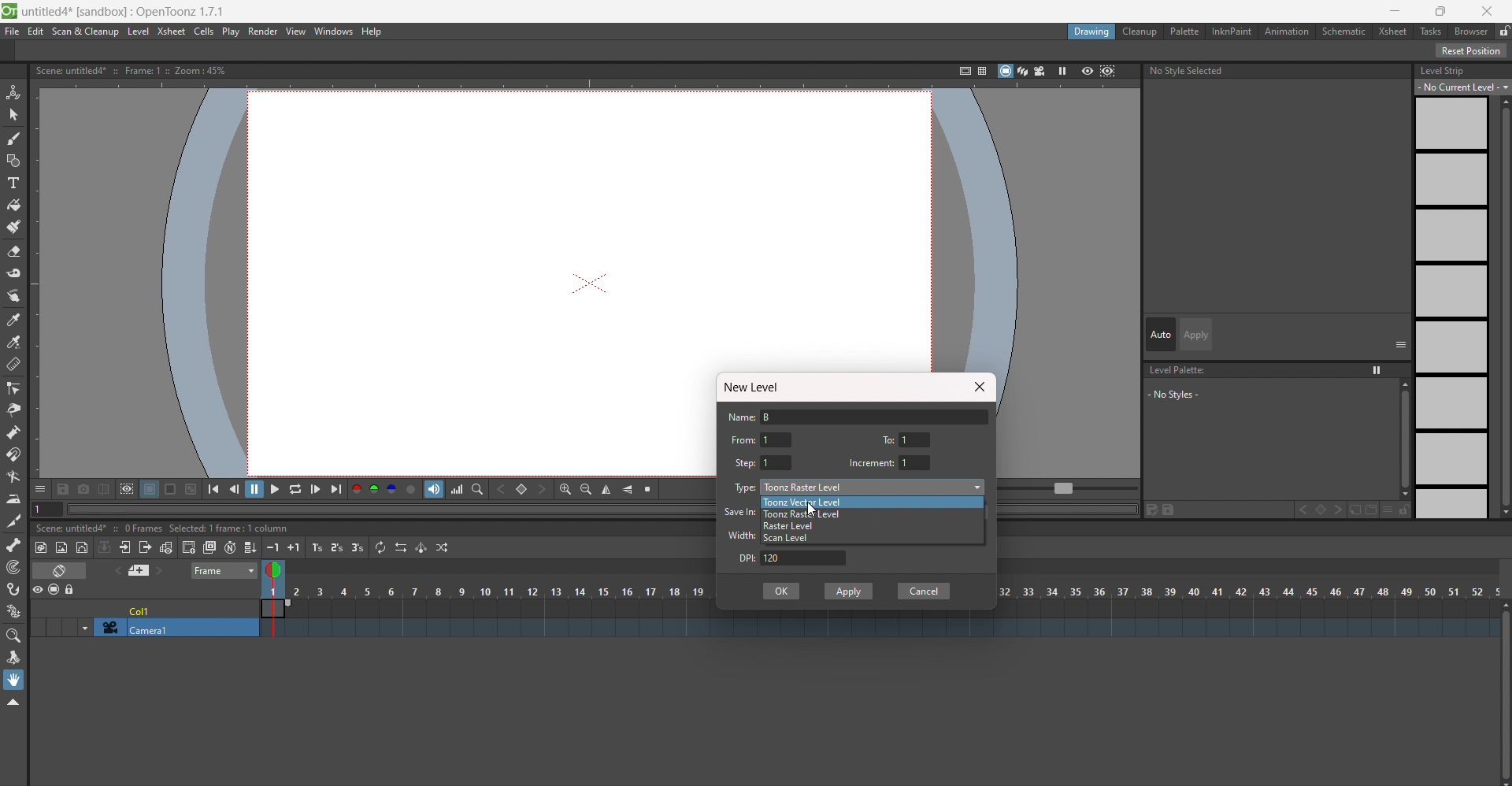 This screenshot has height=786, width=1512. I want to click on swing, so click(421, 547).